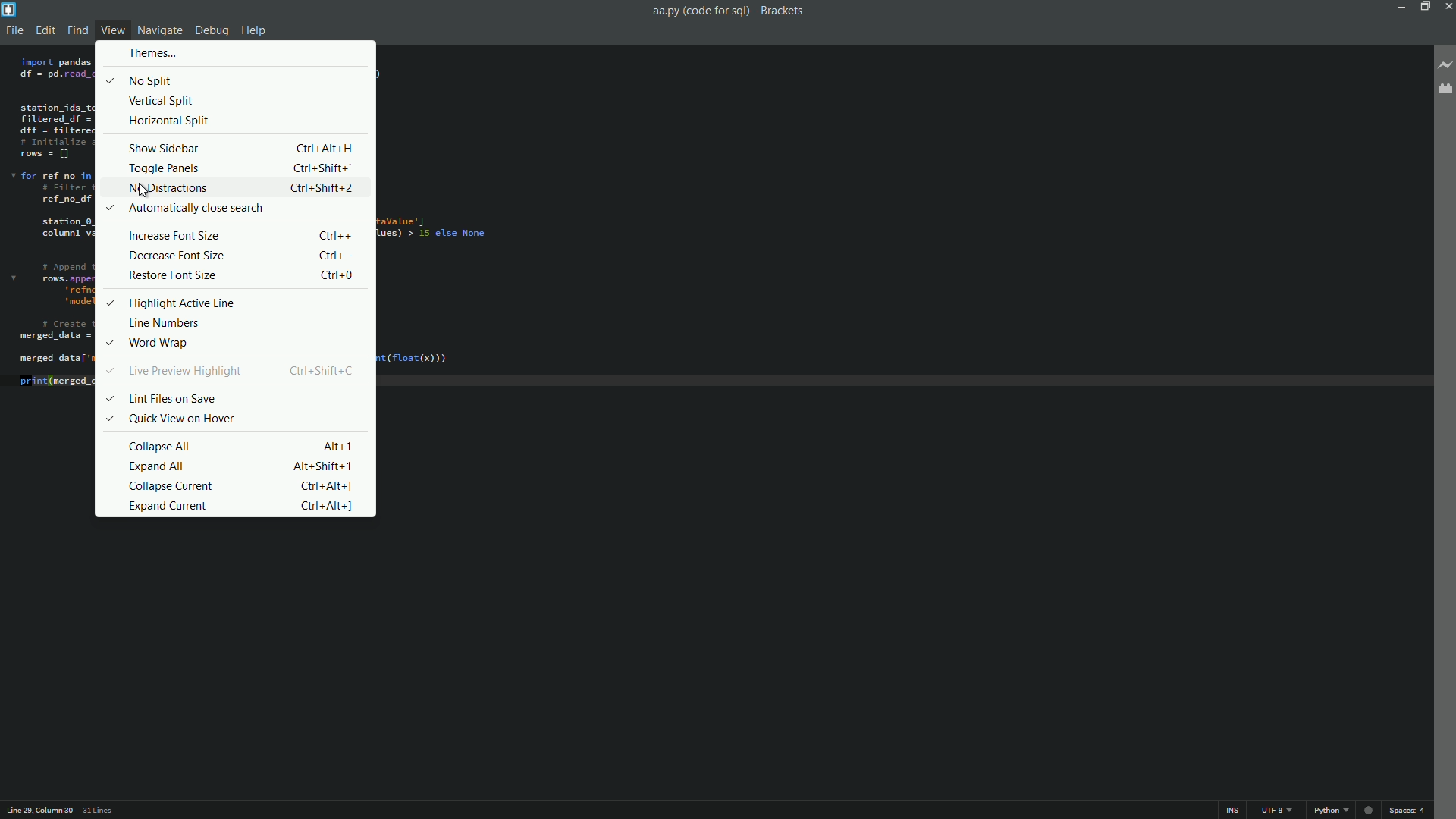 The width and height of the screenshot is (1456, 819). Describe the element at coordinates (246, 368) in the screenshot. I see `live preview ctrl+shift+c` at that location.